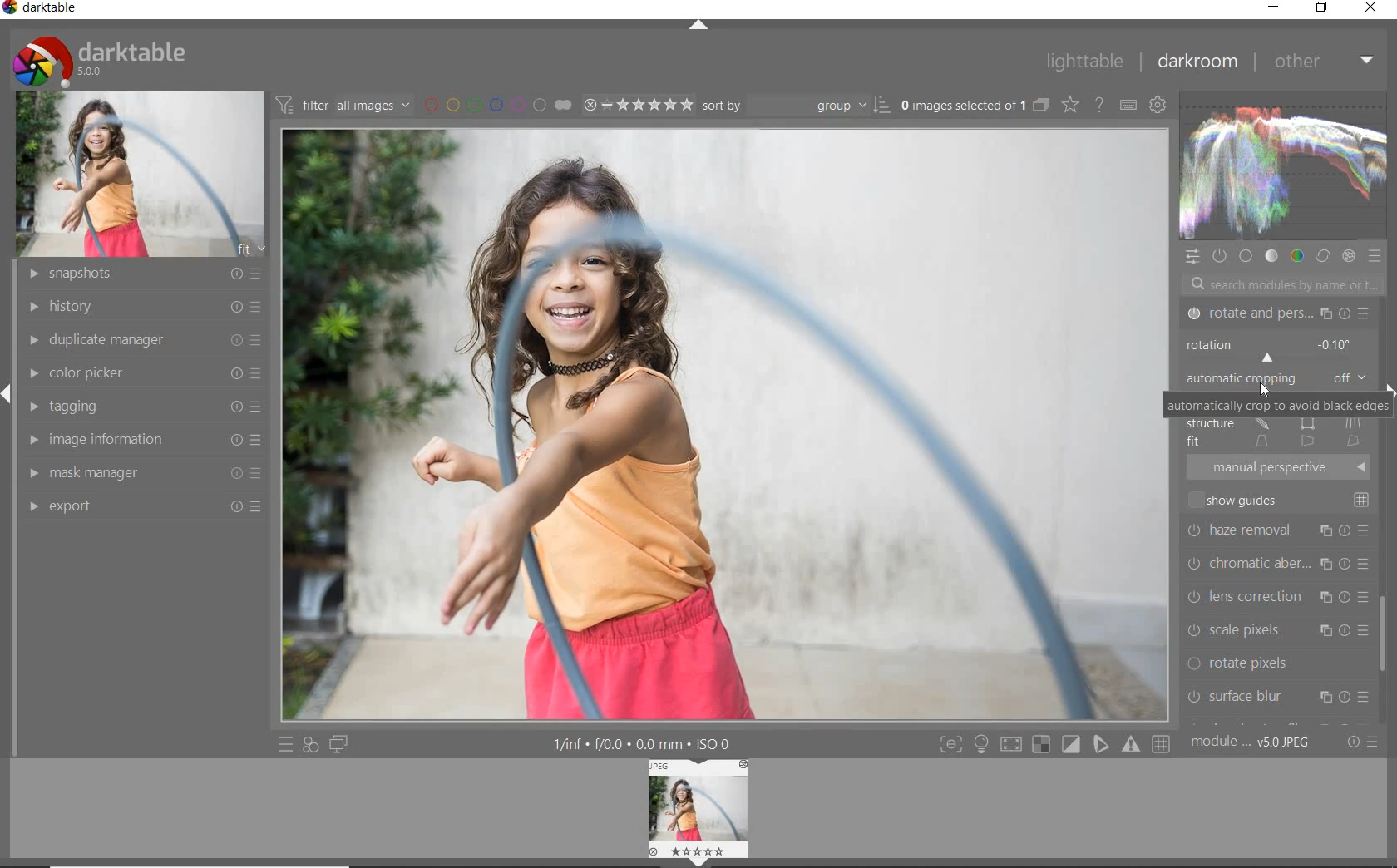  What do you see at coordinates (1298, 258) in the screenshot?
I see `color` at bounding box center [1298, 258].